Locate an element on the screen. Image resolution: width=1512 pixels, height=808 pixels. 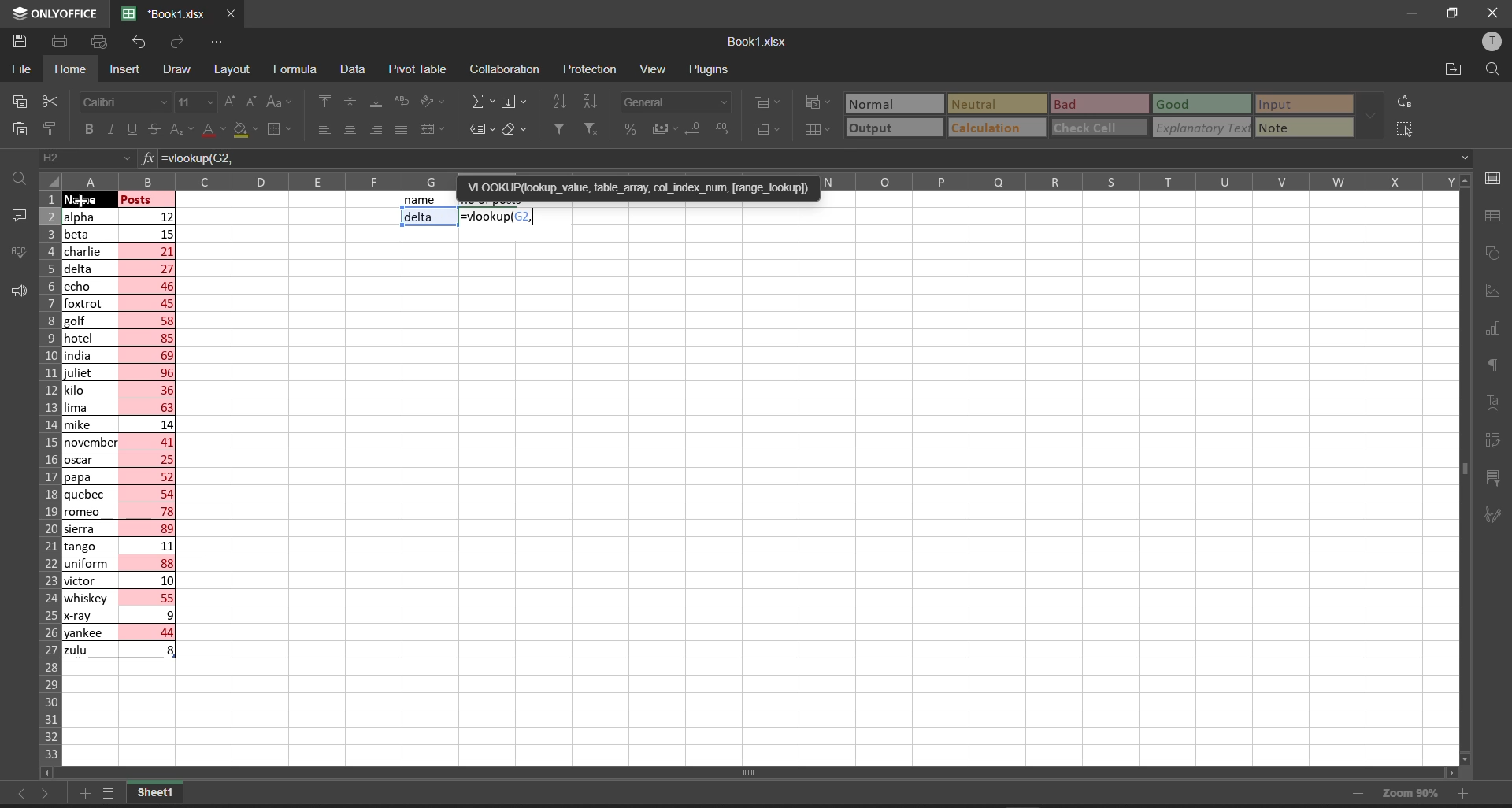
underline is located at coordinates (129, 128).